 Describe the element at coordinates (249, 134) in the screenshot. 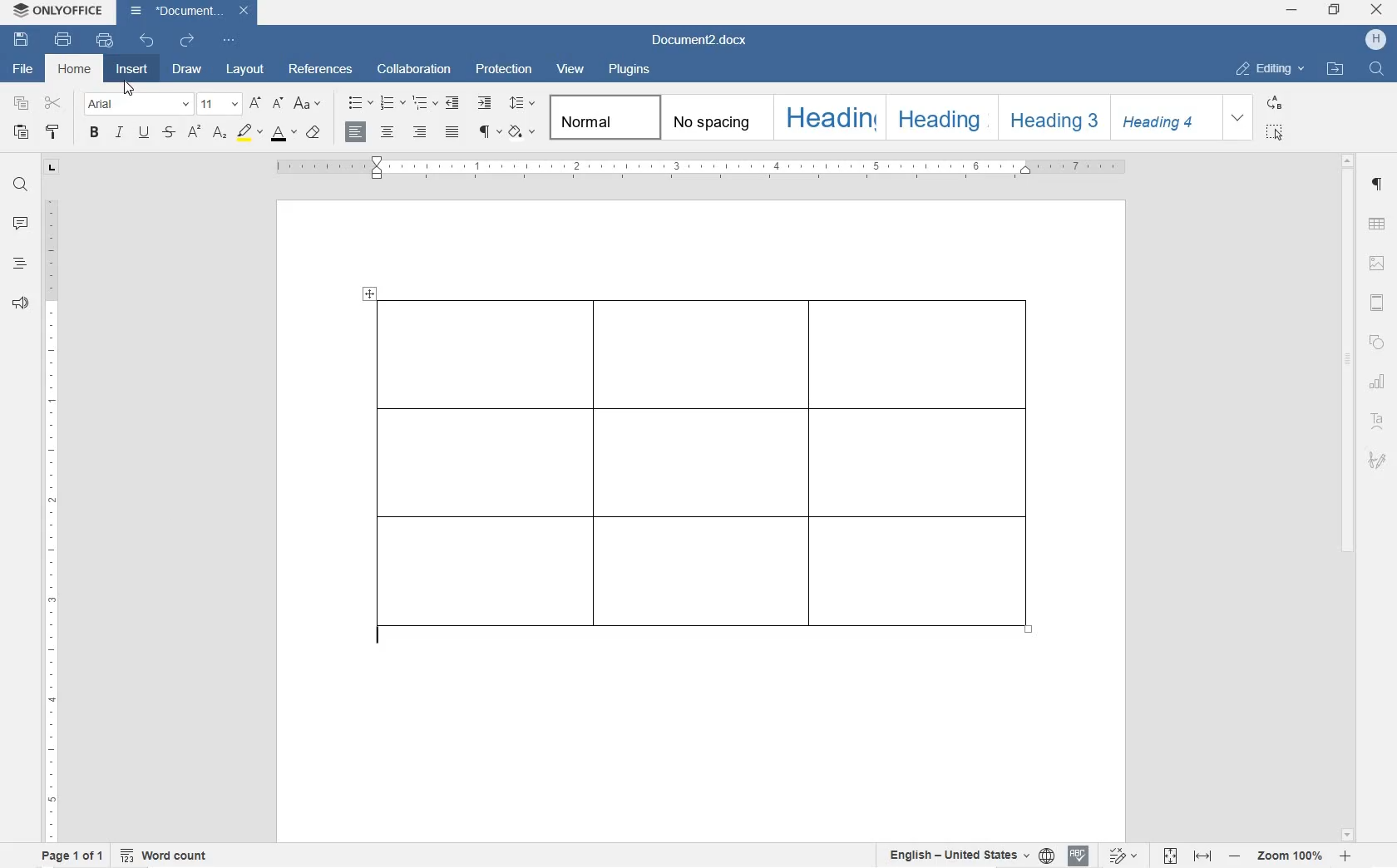

I see `highlight color` at that location.